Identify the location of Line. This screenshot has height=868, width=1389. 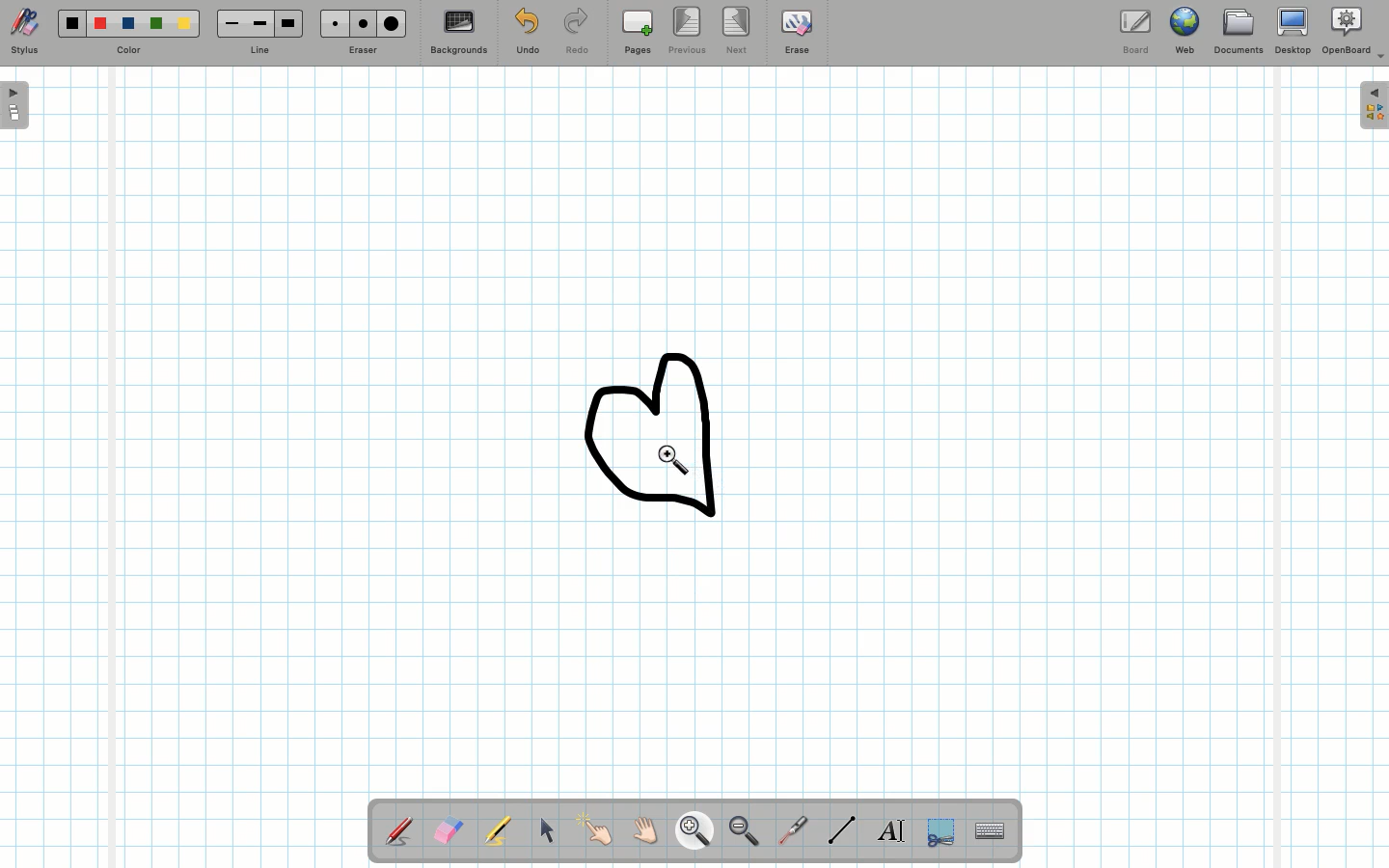
(259, 32).